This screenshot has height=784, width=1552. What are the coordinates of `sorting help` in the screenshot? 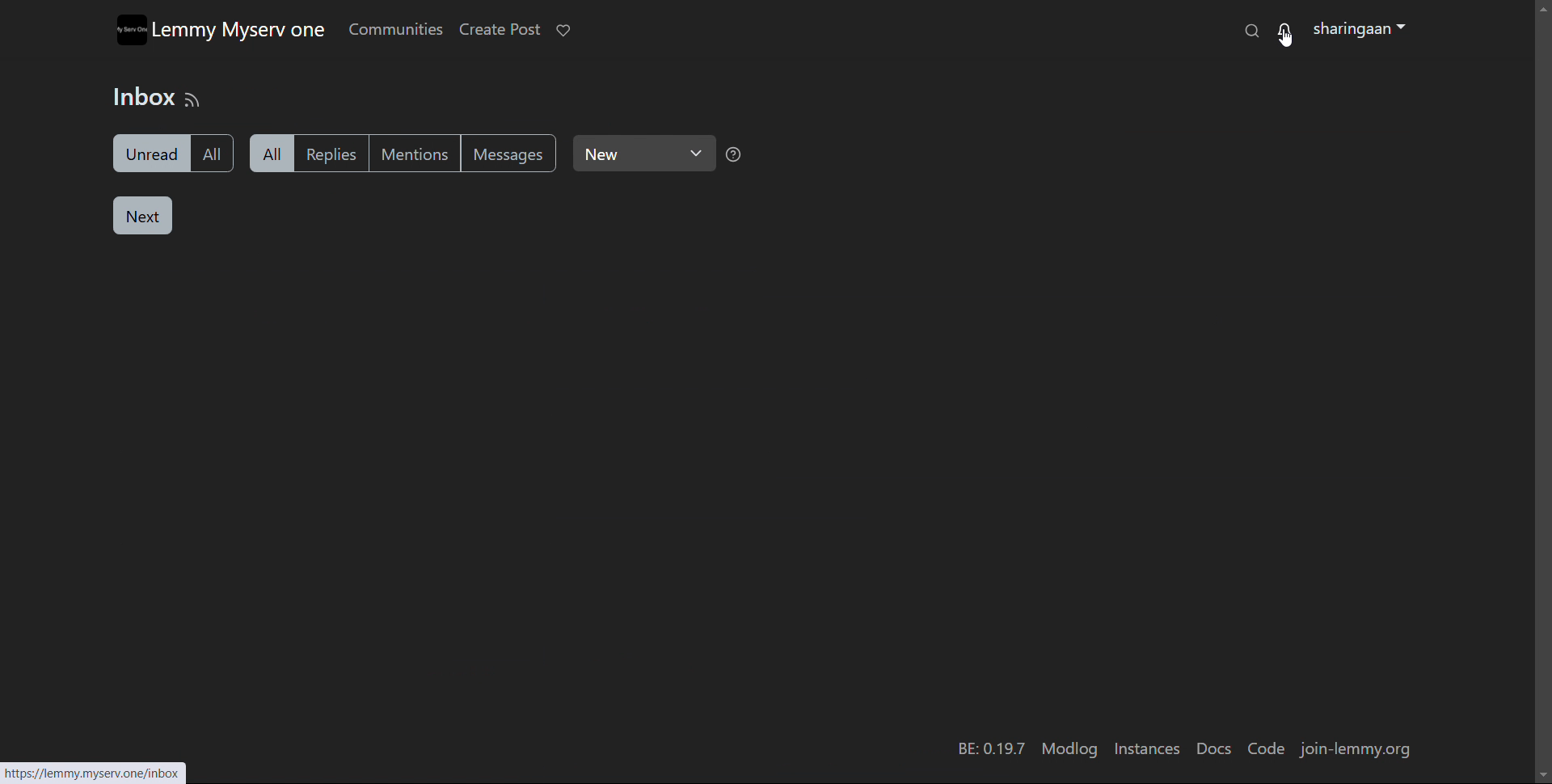 It's located at (733, 154).